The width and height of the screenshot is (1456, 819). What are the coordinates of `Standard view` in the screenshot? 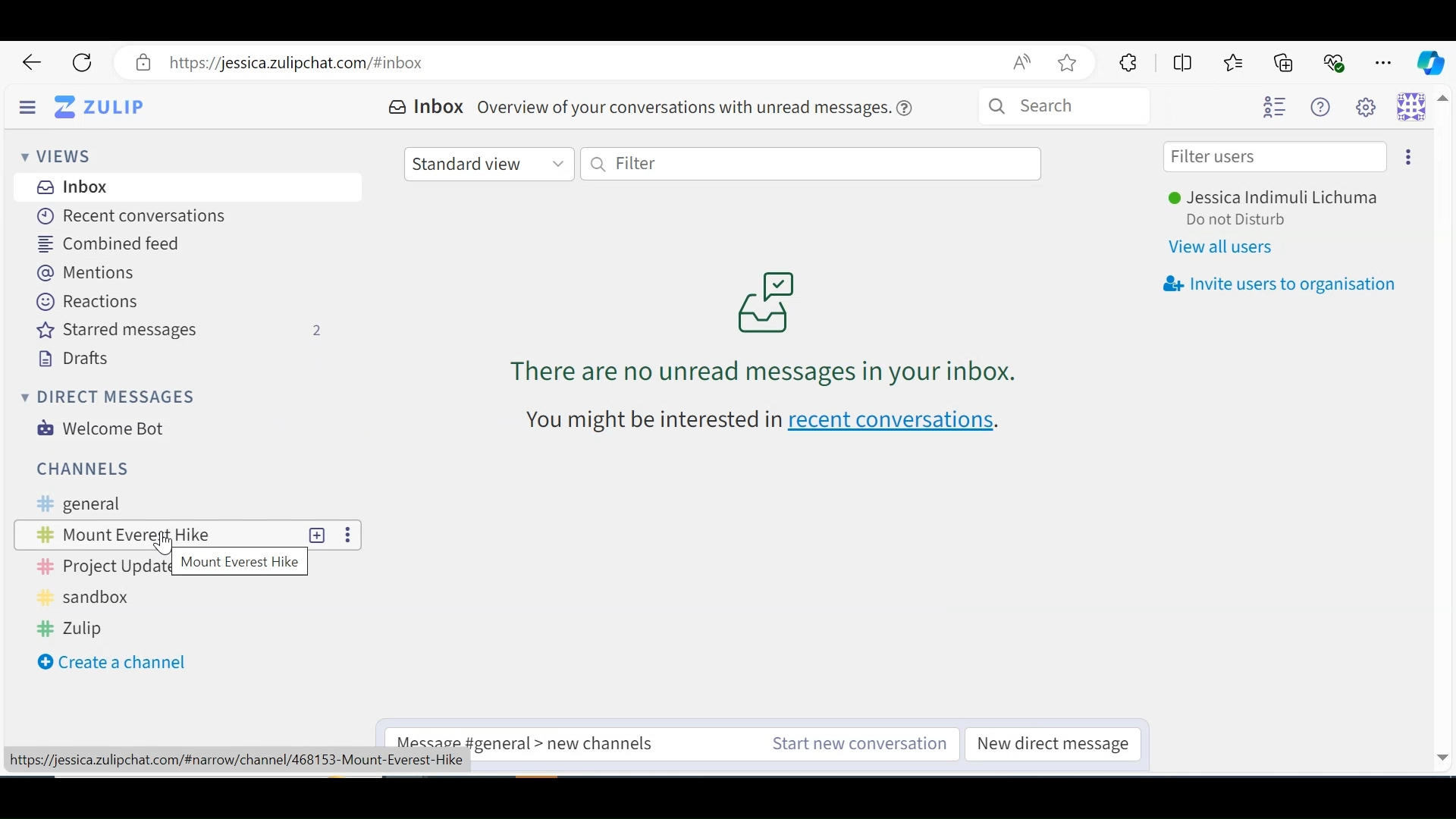 It's located at (488, 162).